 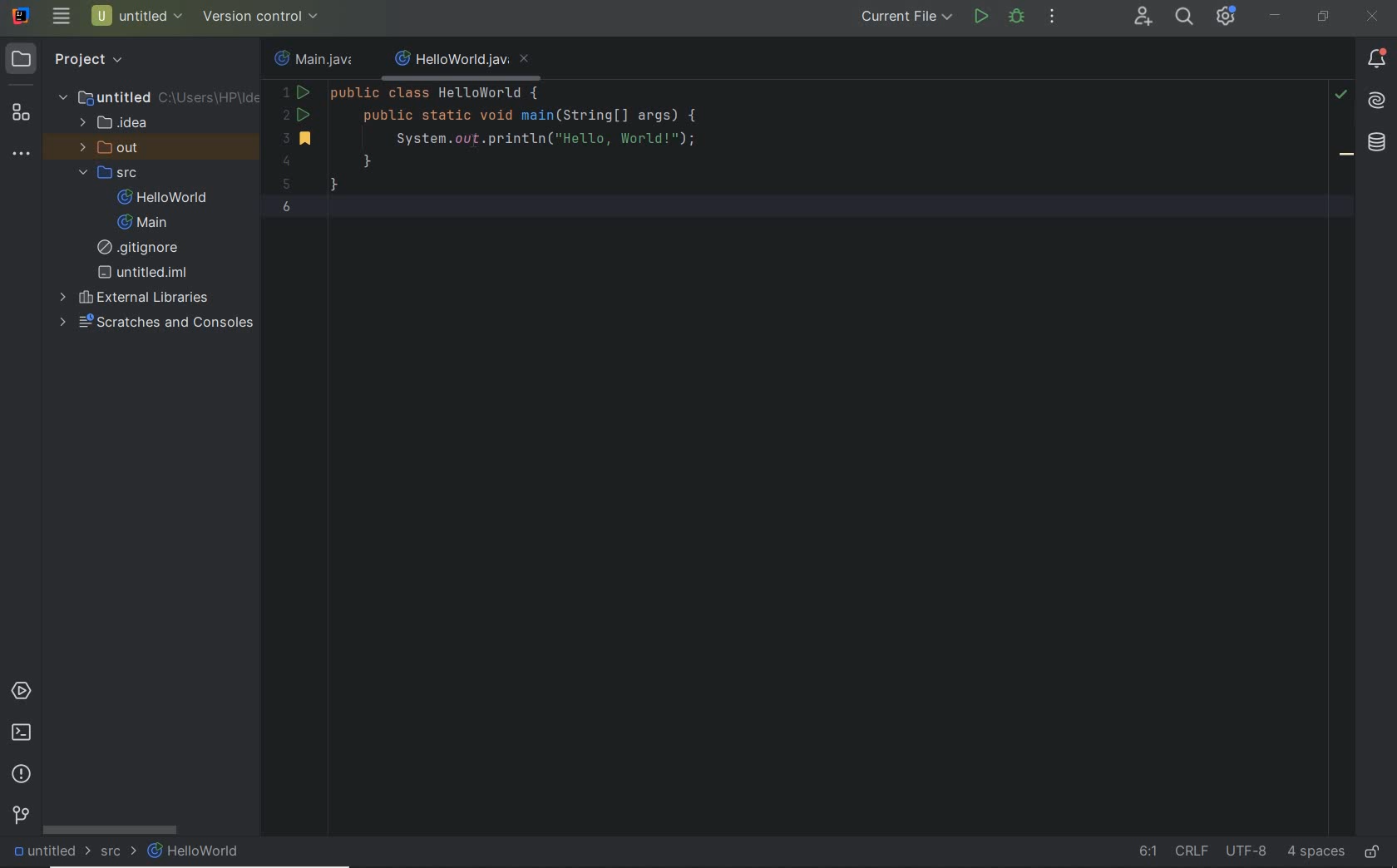 I want to click on structure, so click(x=21, y=113).